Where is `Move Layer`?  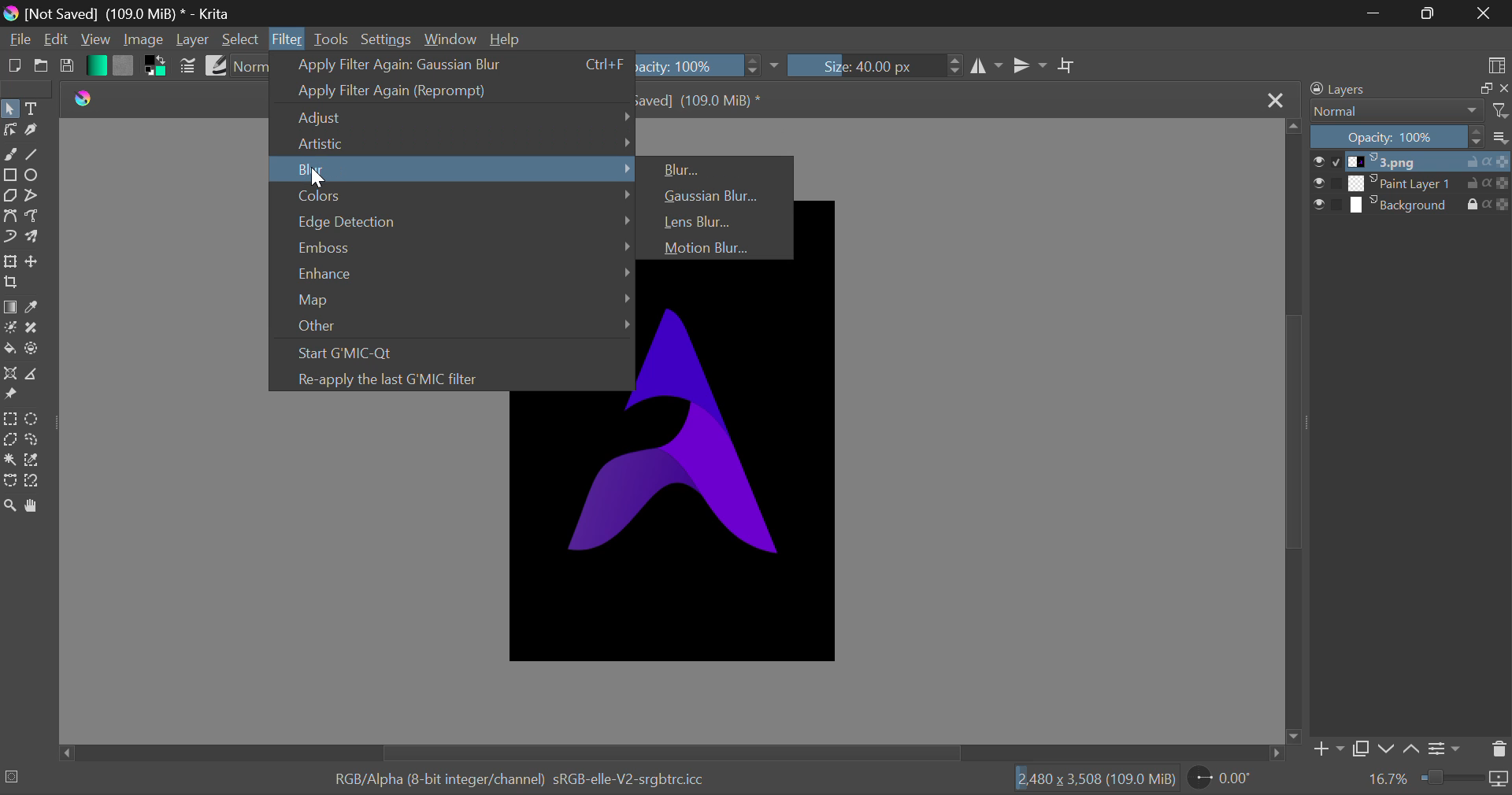
Move Layer is located at coordinates (35, 261).